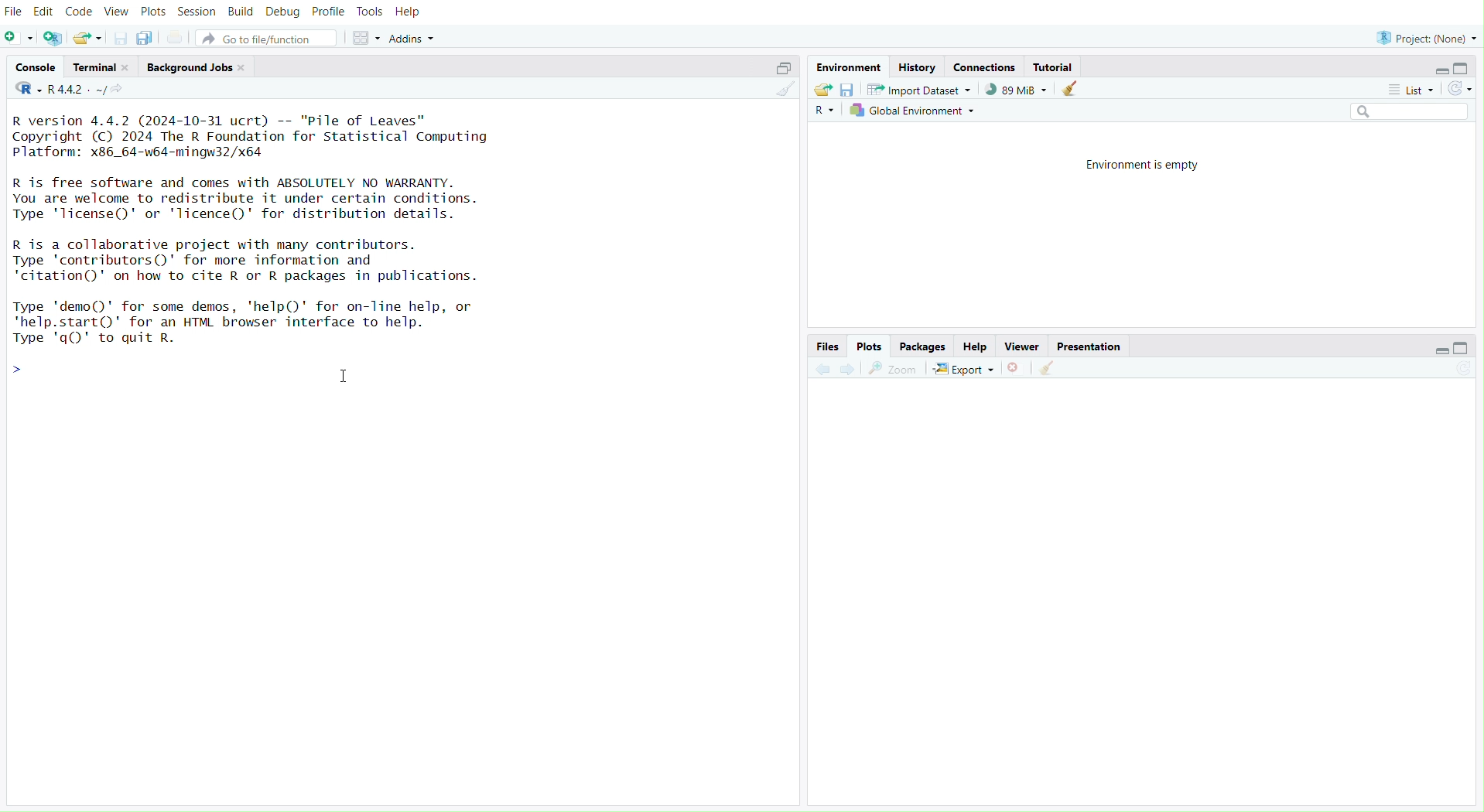 The width and height of the screenshot is (1484, 812). I want to click on New File, so click(19, 37).